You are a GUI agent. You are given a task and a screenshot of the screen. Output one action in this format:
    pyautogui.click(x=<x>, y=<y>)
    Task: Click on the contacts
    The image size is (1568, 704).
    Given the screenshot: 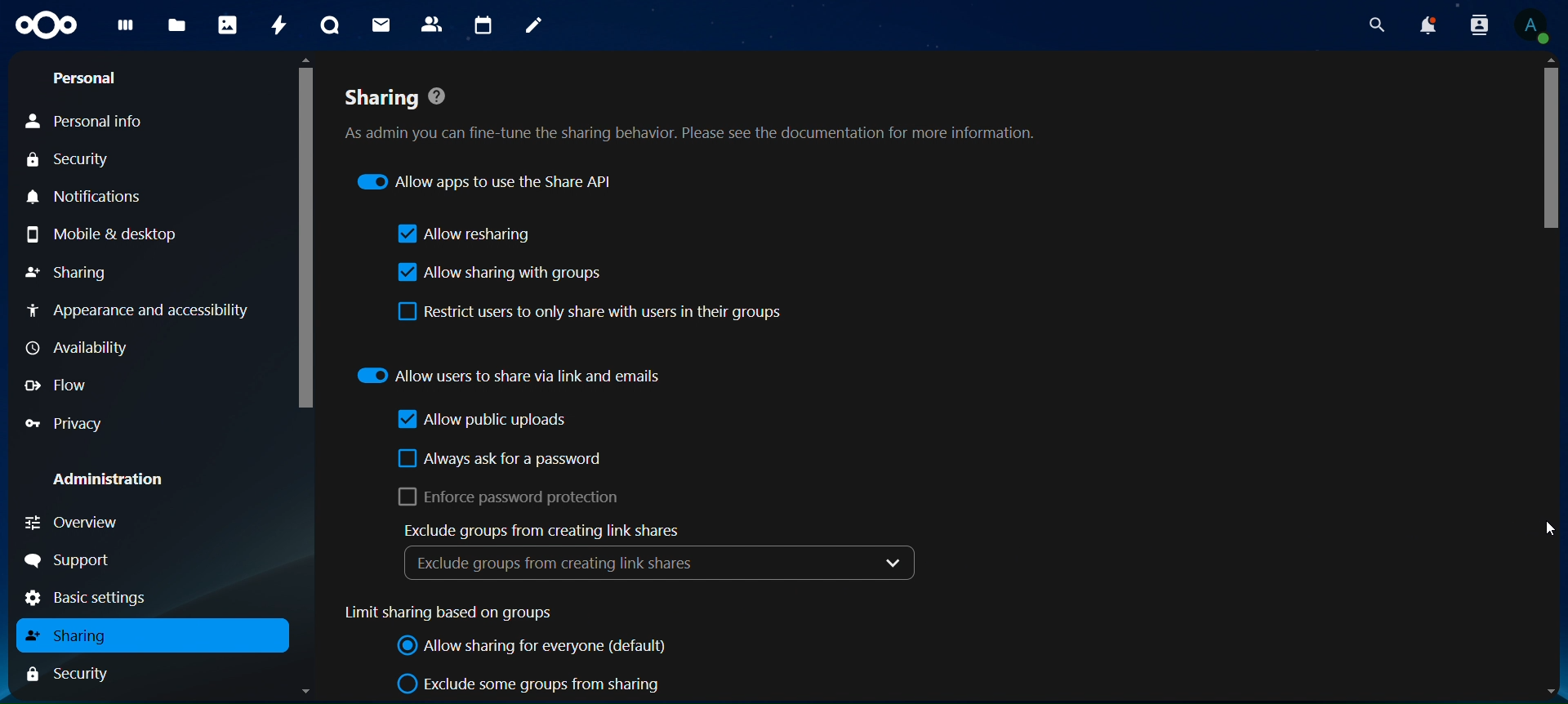 What is the action you would take?
    pyautogui.click(x=434, y=24)
    